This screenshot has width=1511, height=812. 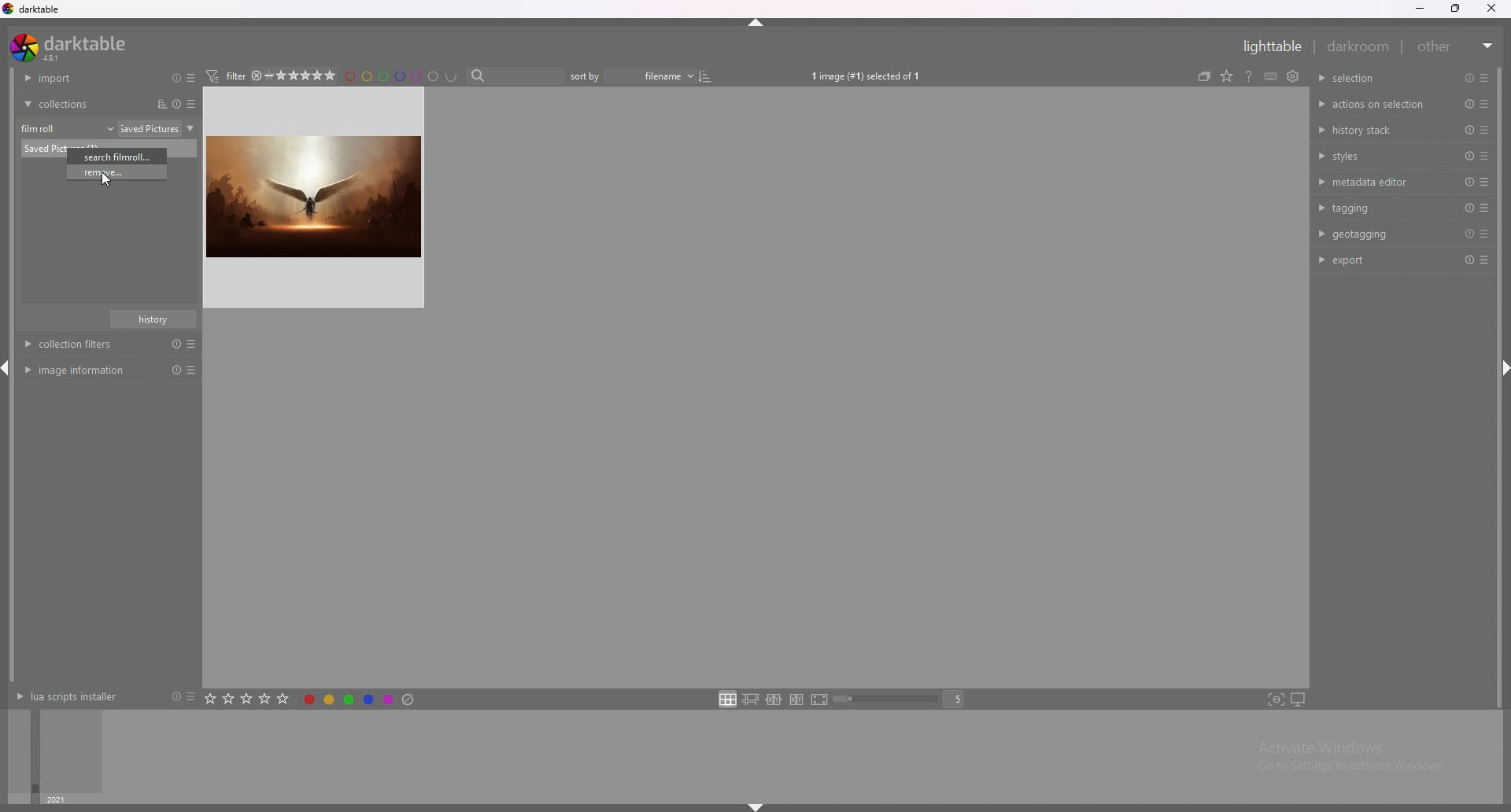 I want to click on reset, so click(x=1467, y=208).